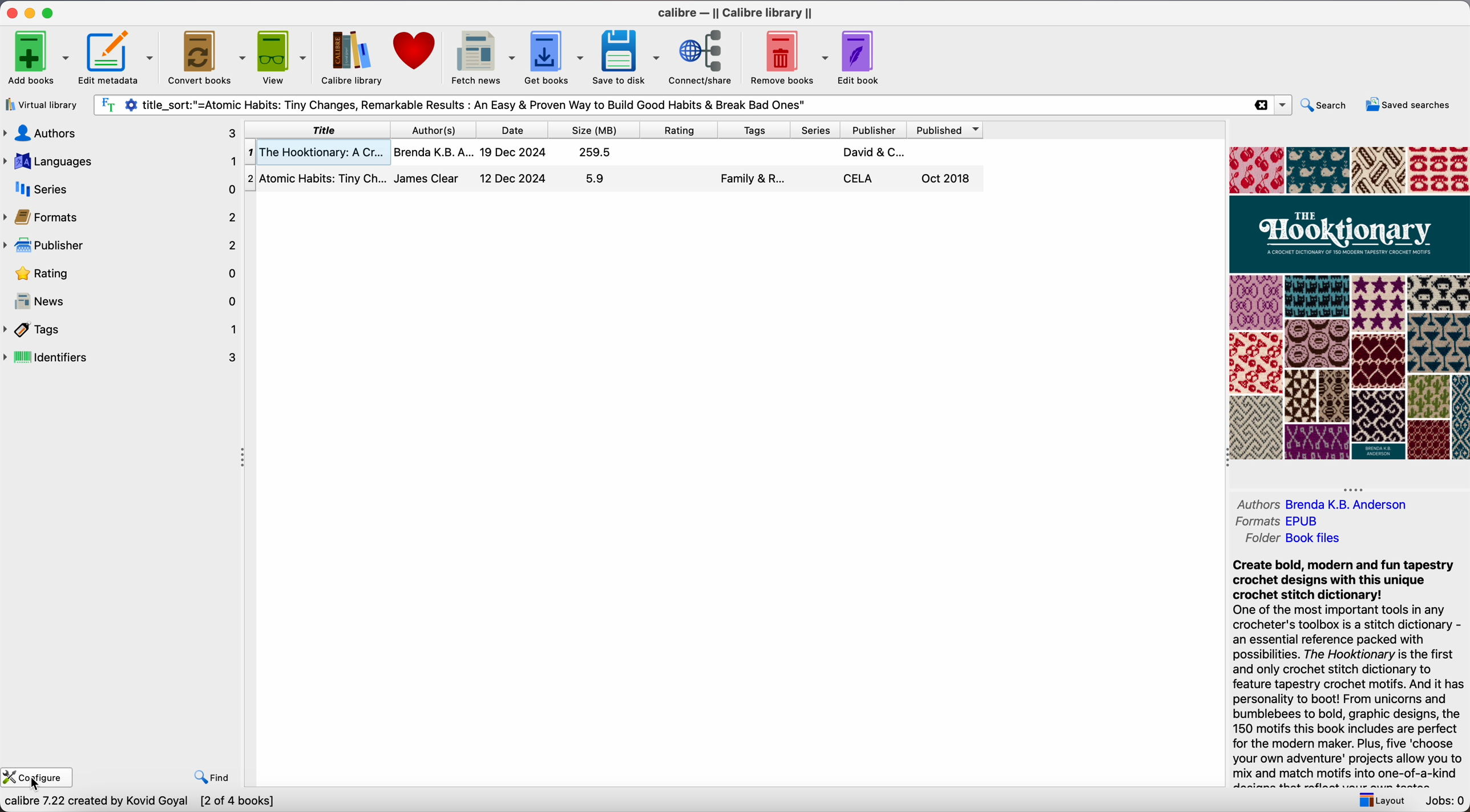 This screenshot has height=812, width=1470. I want to click on find, so click(214, 777).